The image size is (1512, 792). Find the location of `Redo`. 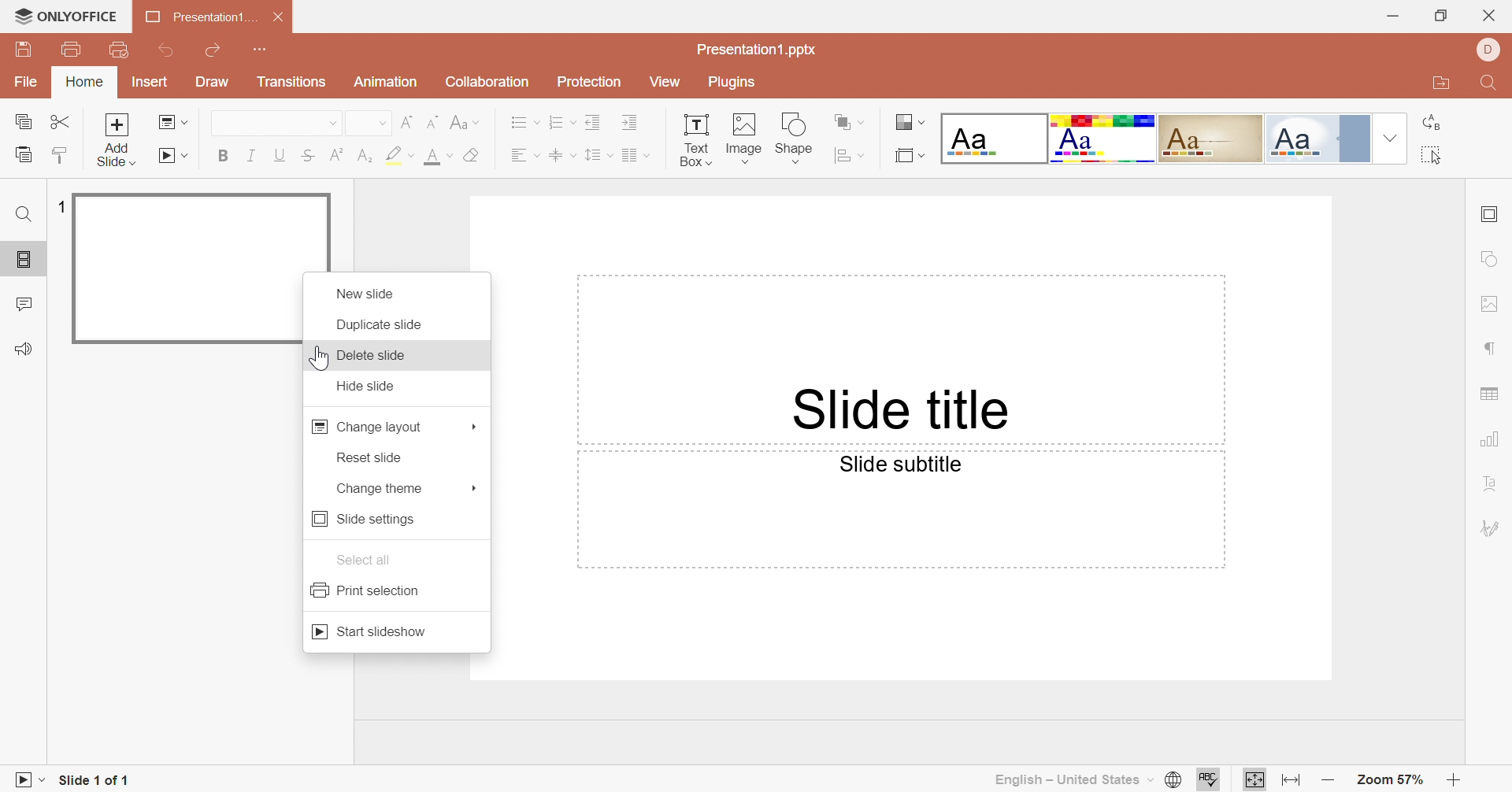

Redo is located at coordinates (213, 50).